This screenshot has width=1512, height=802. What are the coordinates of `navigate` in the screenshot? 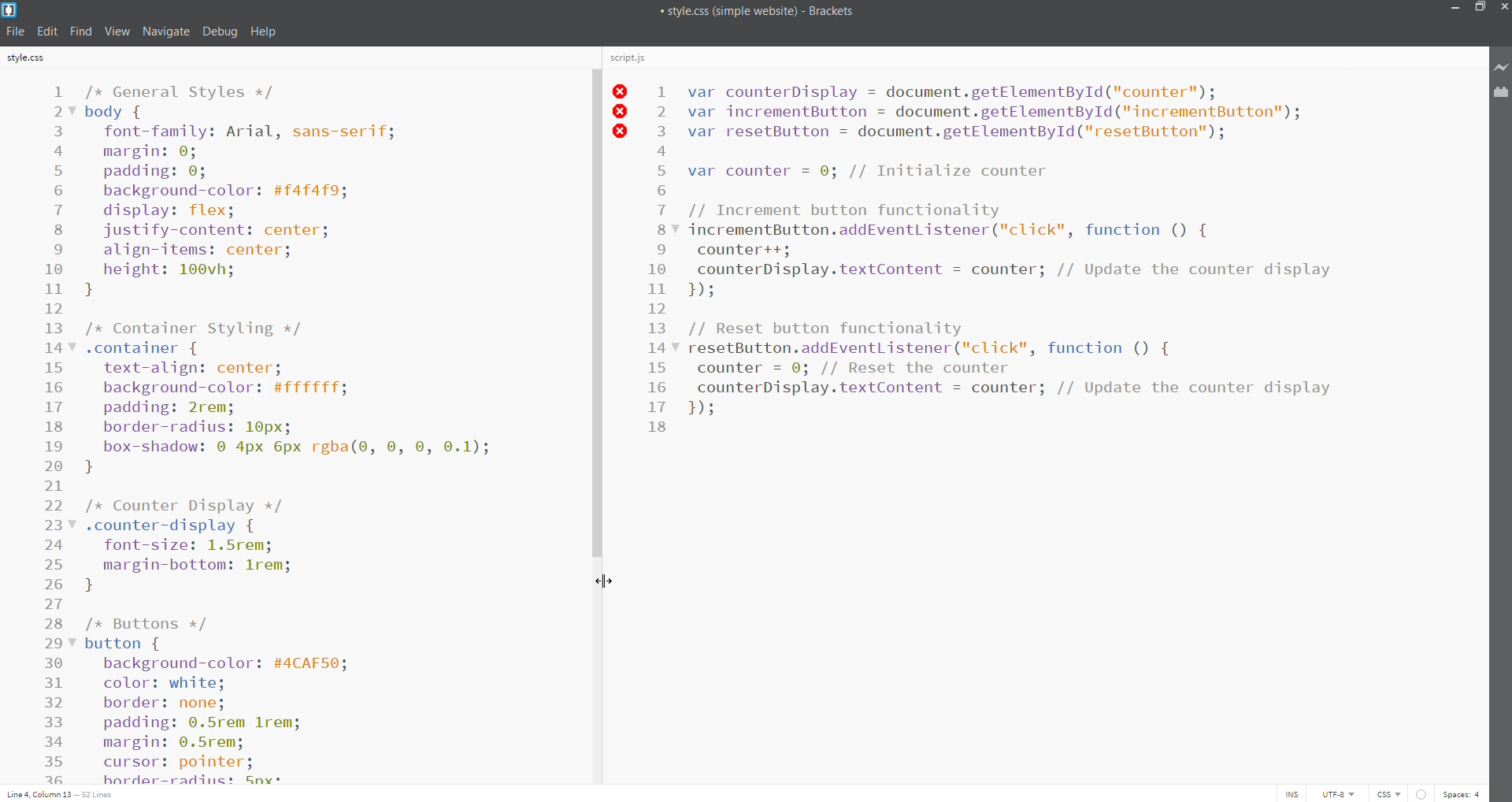 It's located at (166, 32).